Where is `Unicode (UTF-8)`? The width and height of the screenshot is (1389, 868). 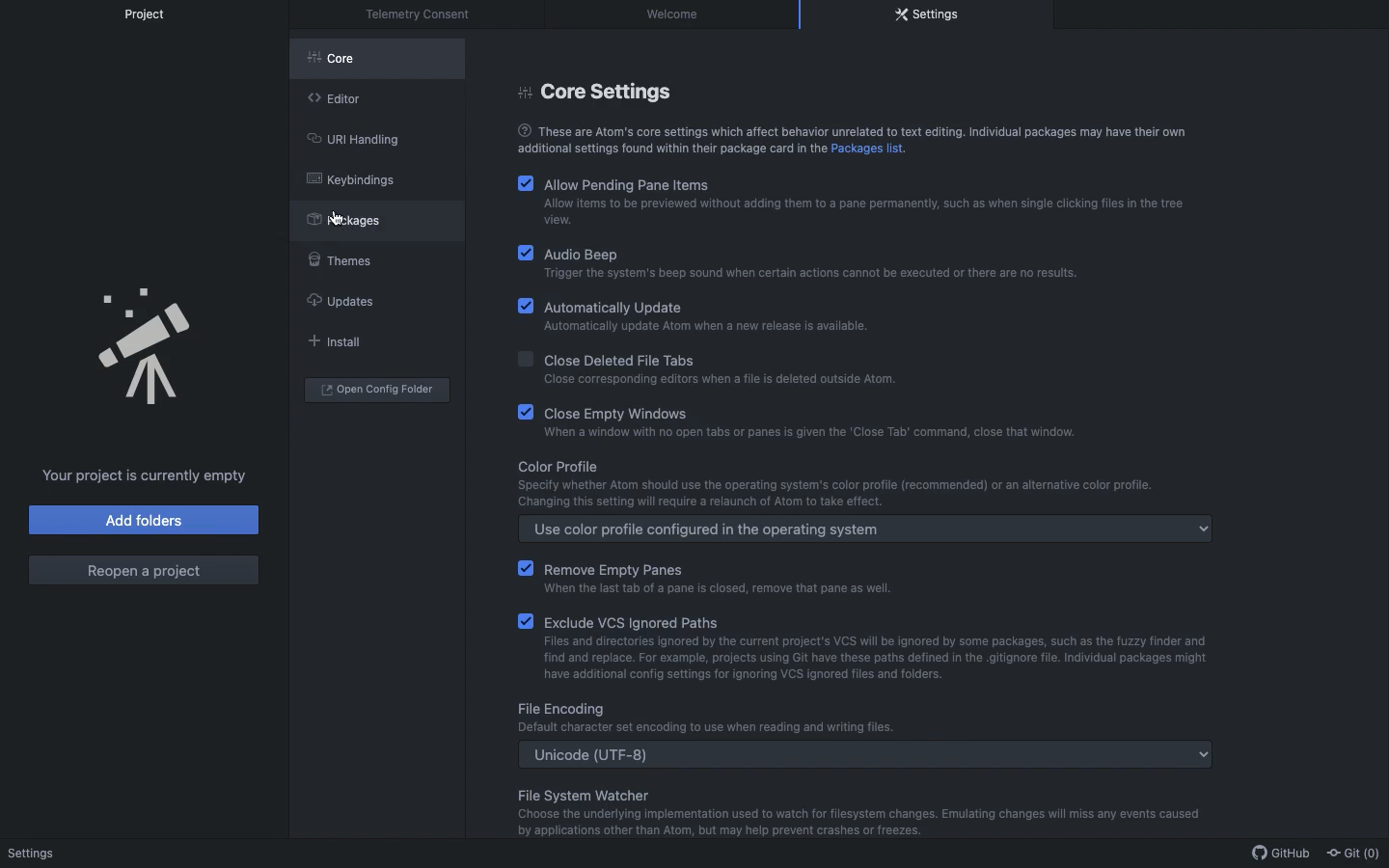
Unicode (UTF-8) is located at coordinates (868, 754).